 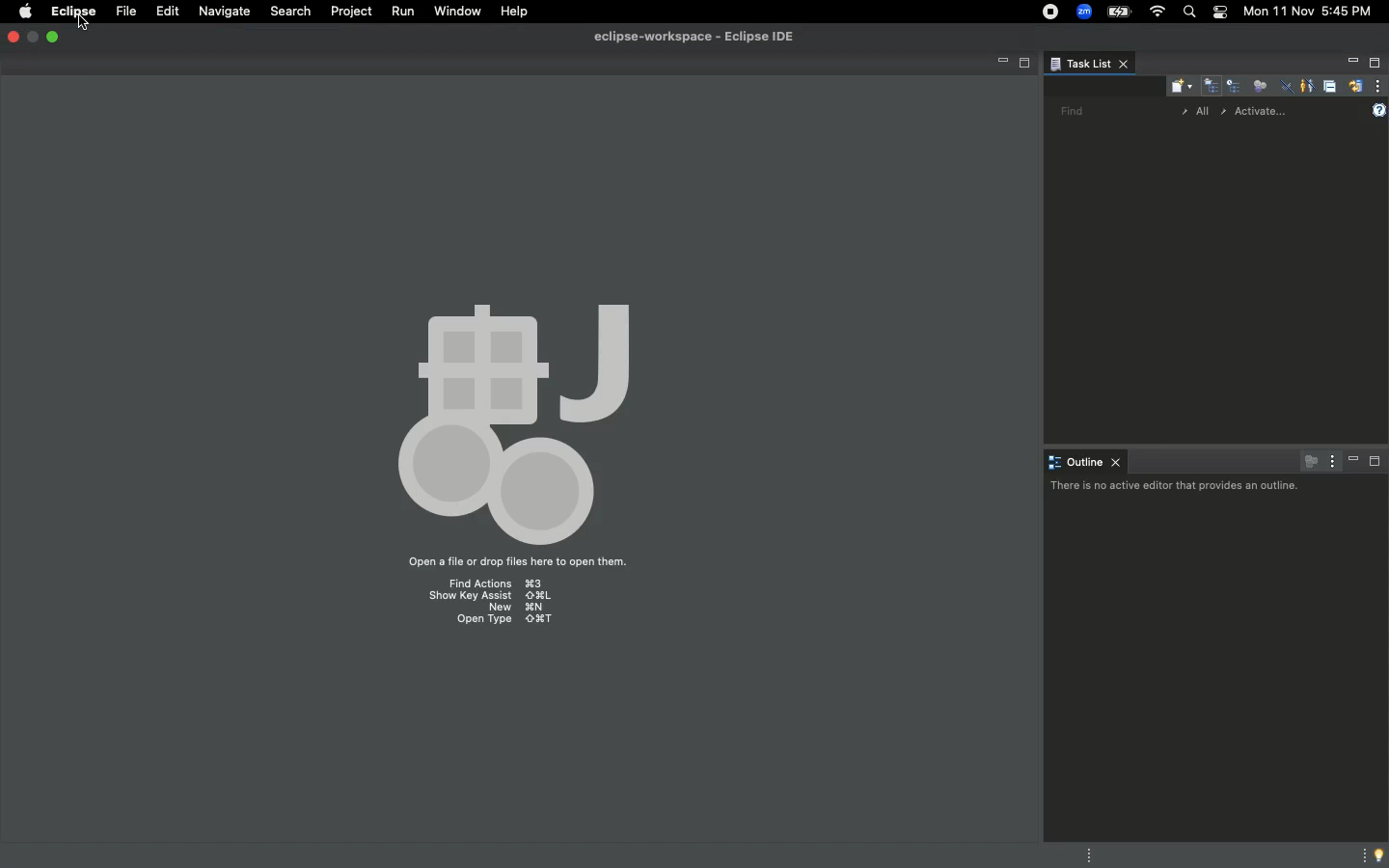 I want to click on Apple logo, so click(x=26, y=12).